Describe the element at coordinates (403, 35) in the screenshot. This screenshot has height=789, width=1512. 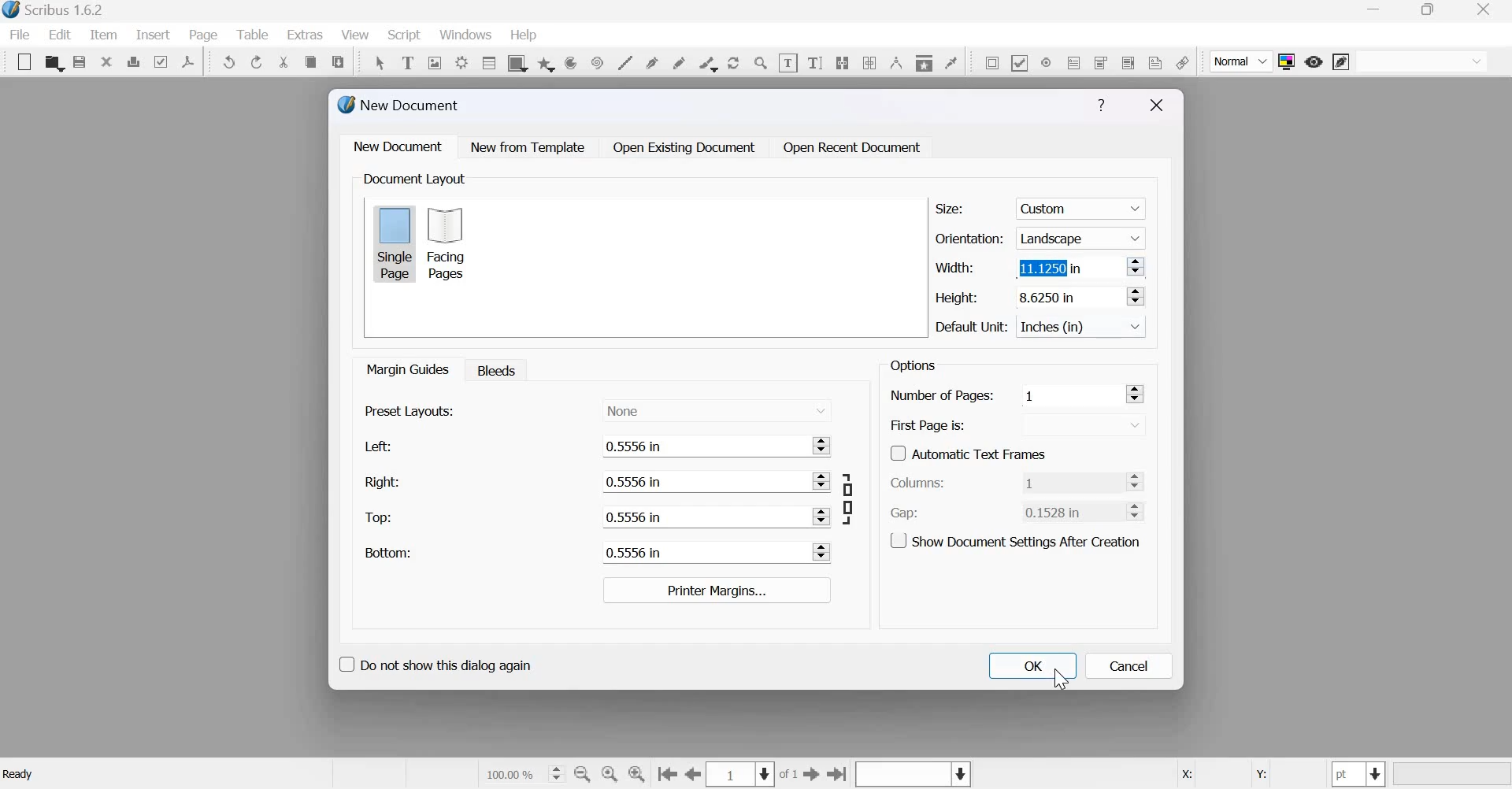
I see `Script` at that location.